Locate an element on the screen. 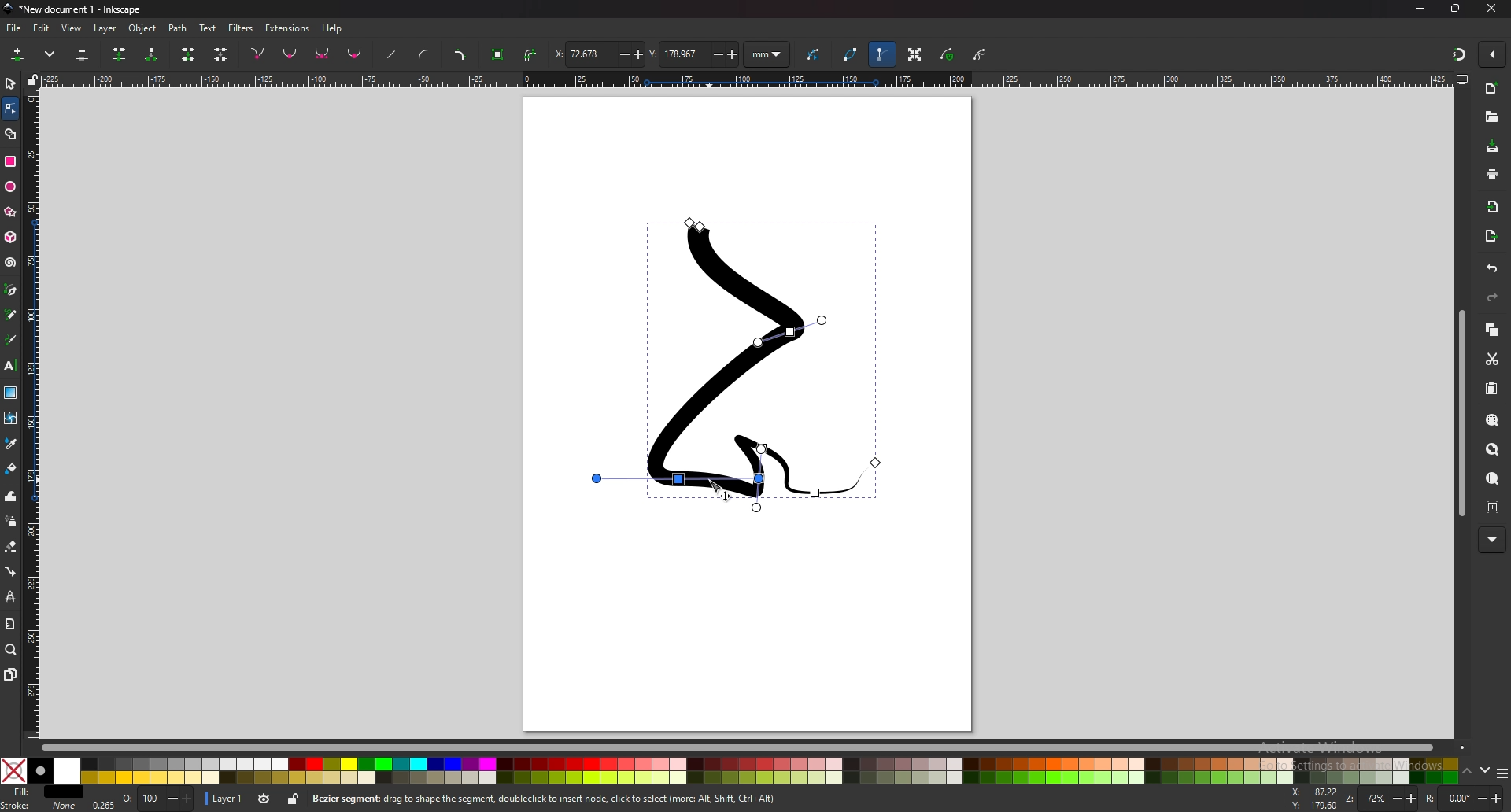 This screenshot has width=1511, height=812. pages is located at coordinates (10, 675).